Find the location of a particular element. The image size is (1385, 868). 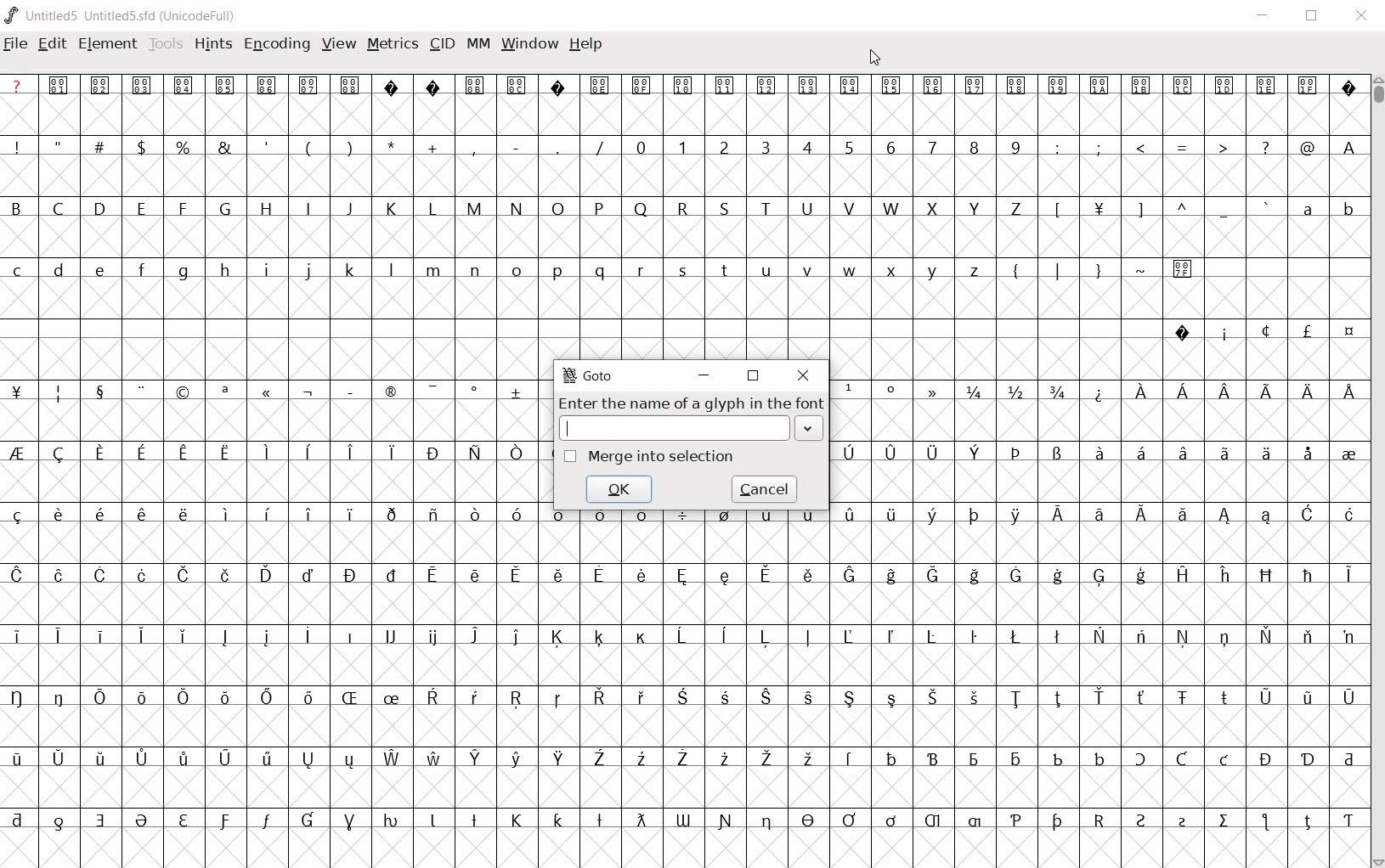

~ is located at coordinates (1141, 268).